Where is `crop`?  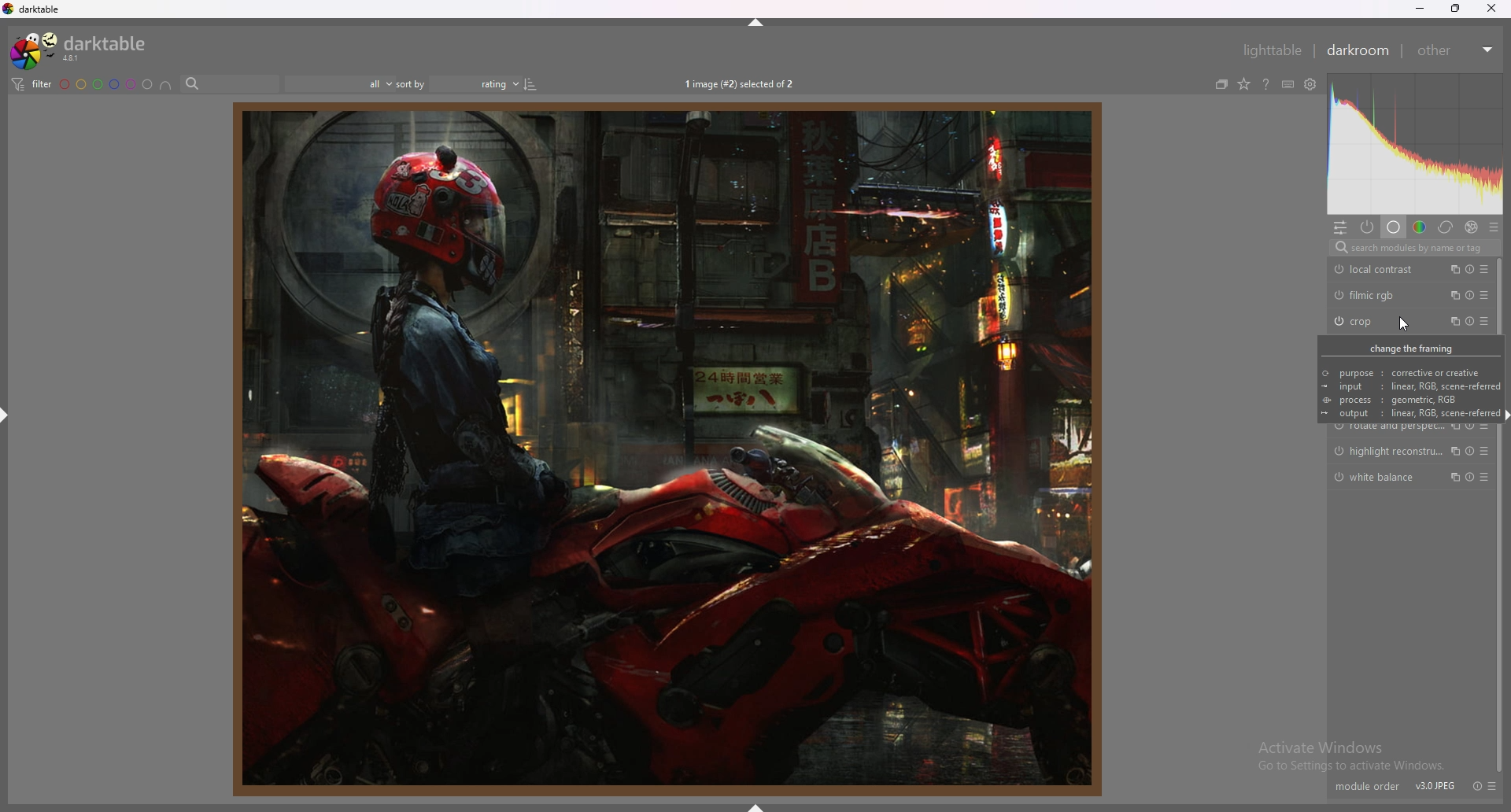 crop is located at coordinates (1379, 322).